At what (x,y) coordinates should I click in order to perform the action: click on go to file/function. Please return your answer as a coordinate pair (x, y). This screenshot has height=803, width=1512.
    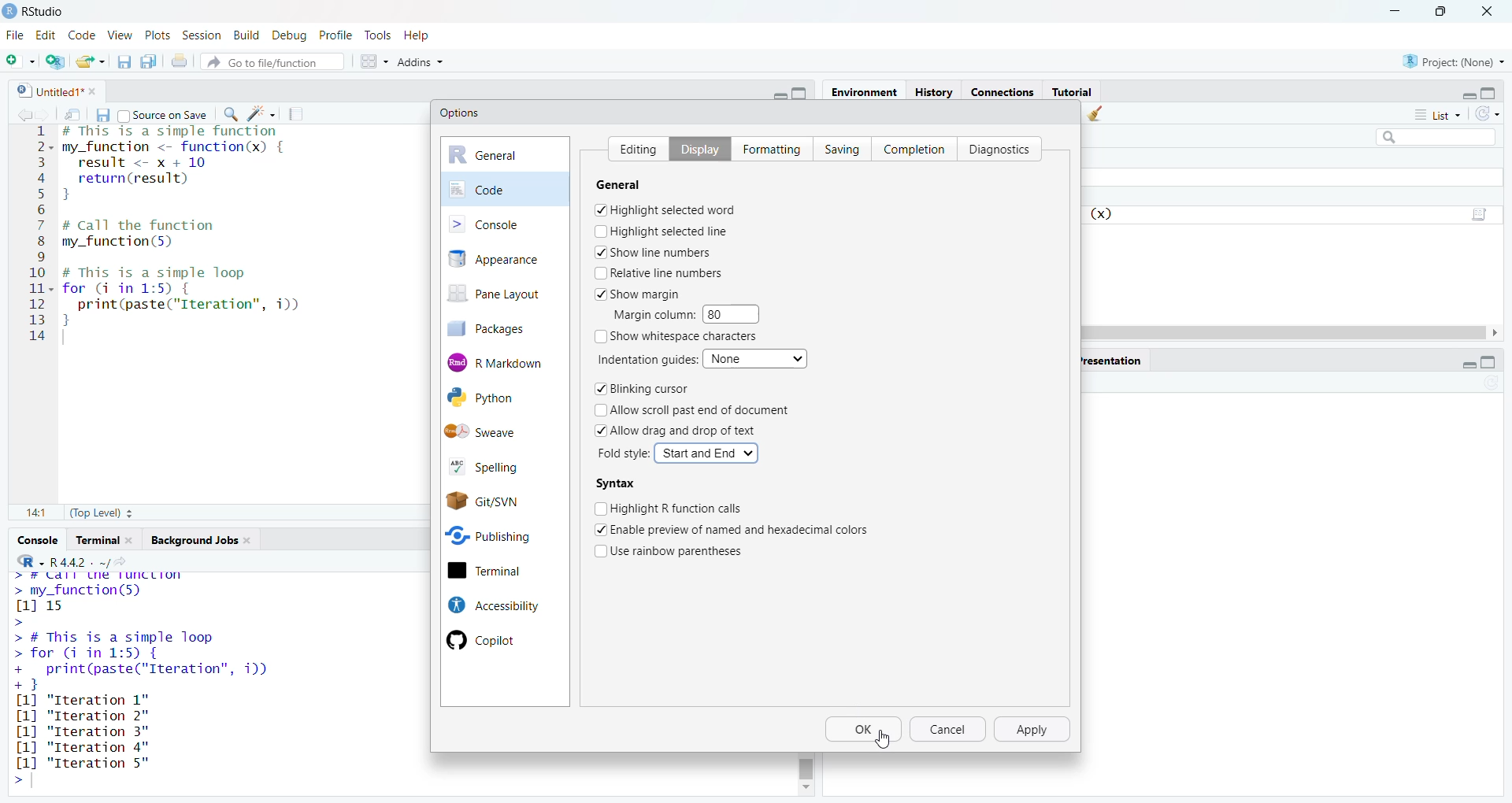
    Looking at the image, I should click on (273, 60).